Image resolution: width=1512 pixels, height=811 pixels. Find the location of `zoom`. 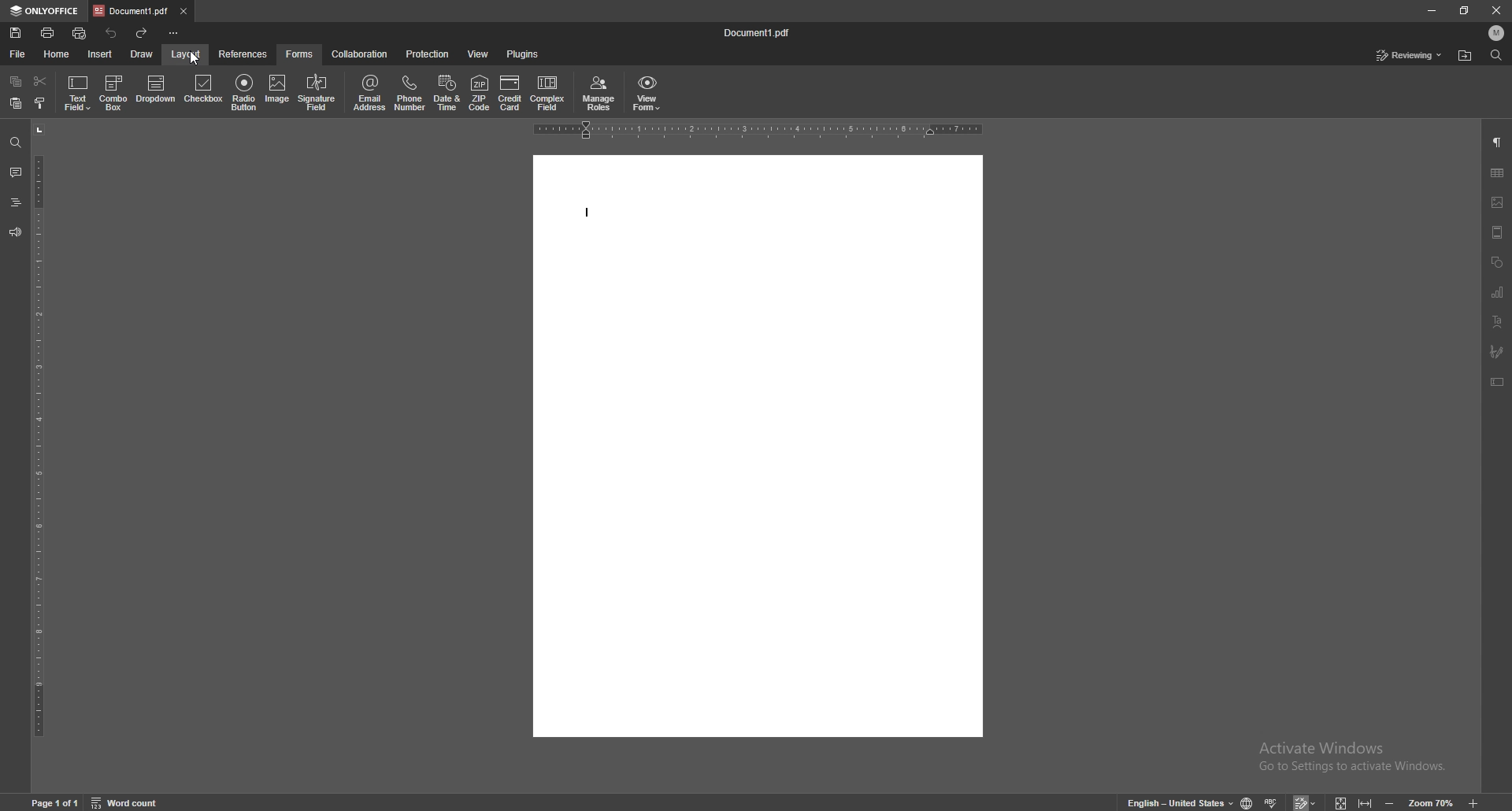

zoom is located at coordinates (1433, 803).